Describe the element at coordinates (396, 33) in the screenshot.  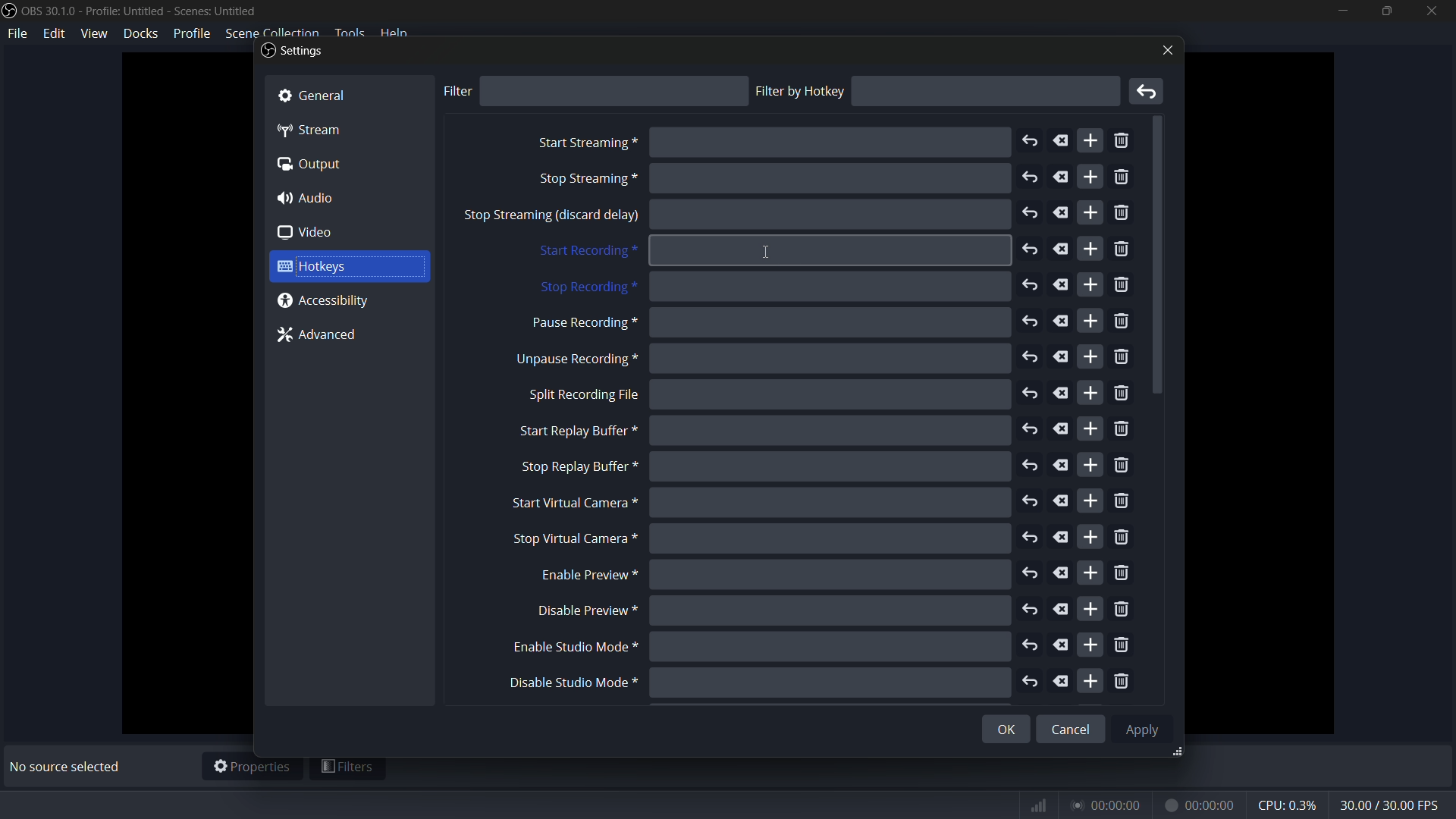
I see `help menu` at that location.